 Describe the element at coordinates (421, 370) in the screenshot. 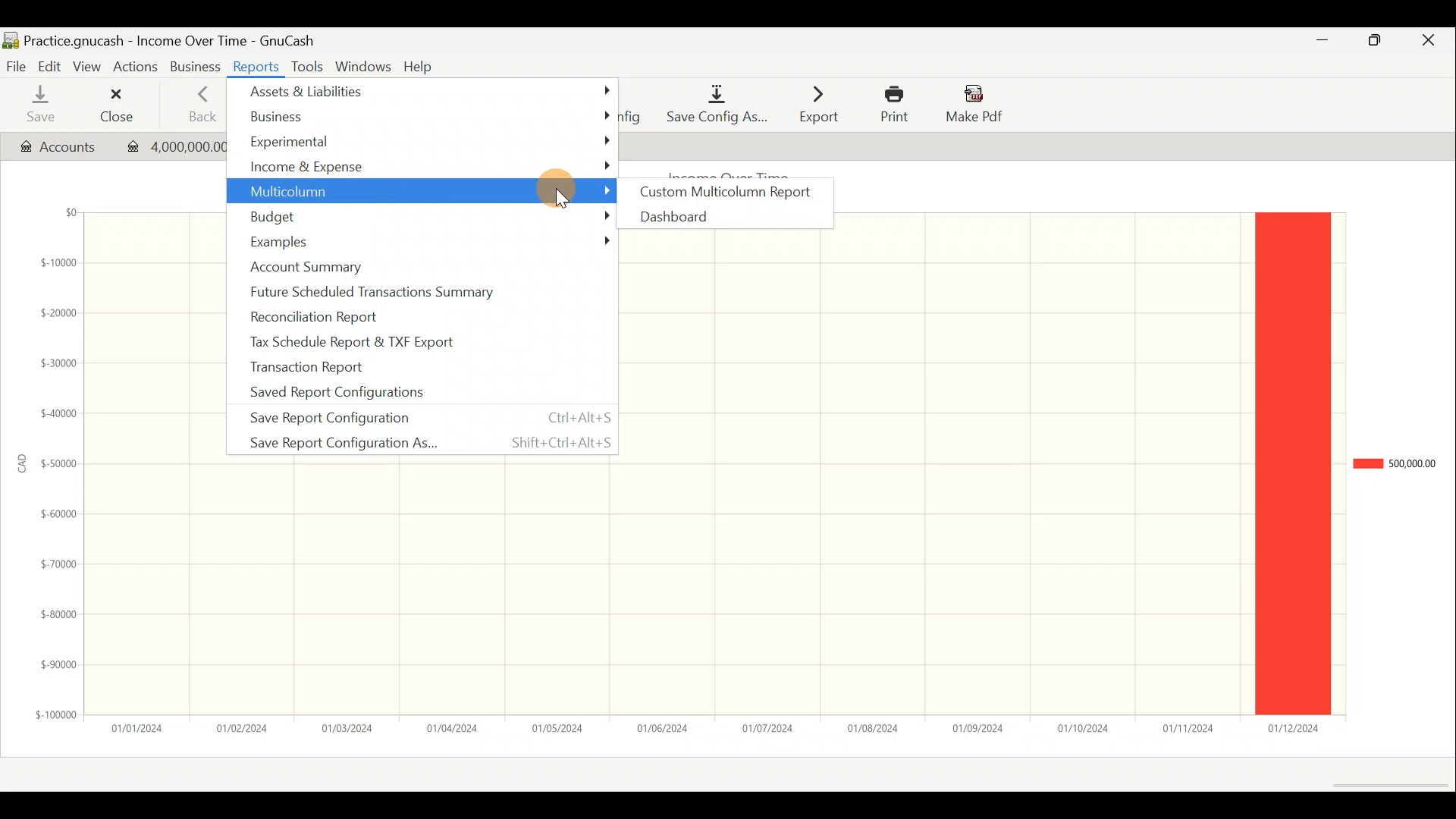

I see `Transaction report` at that location.